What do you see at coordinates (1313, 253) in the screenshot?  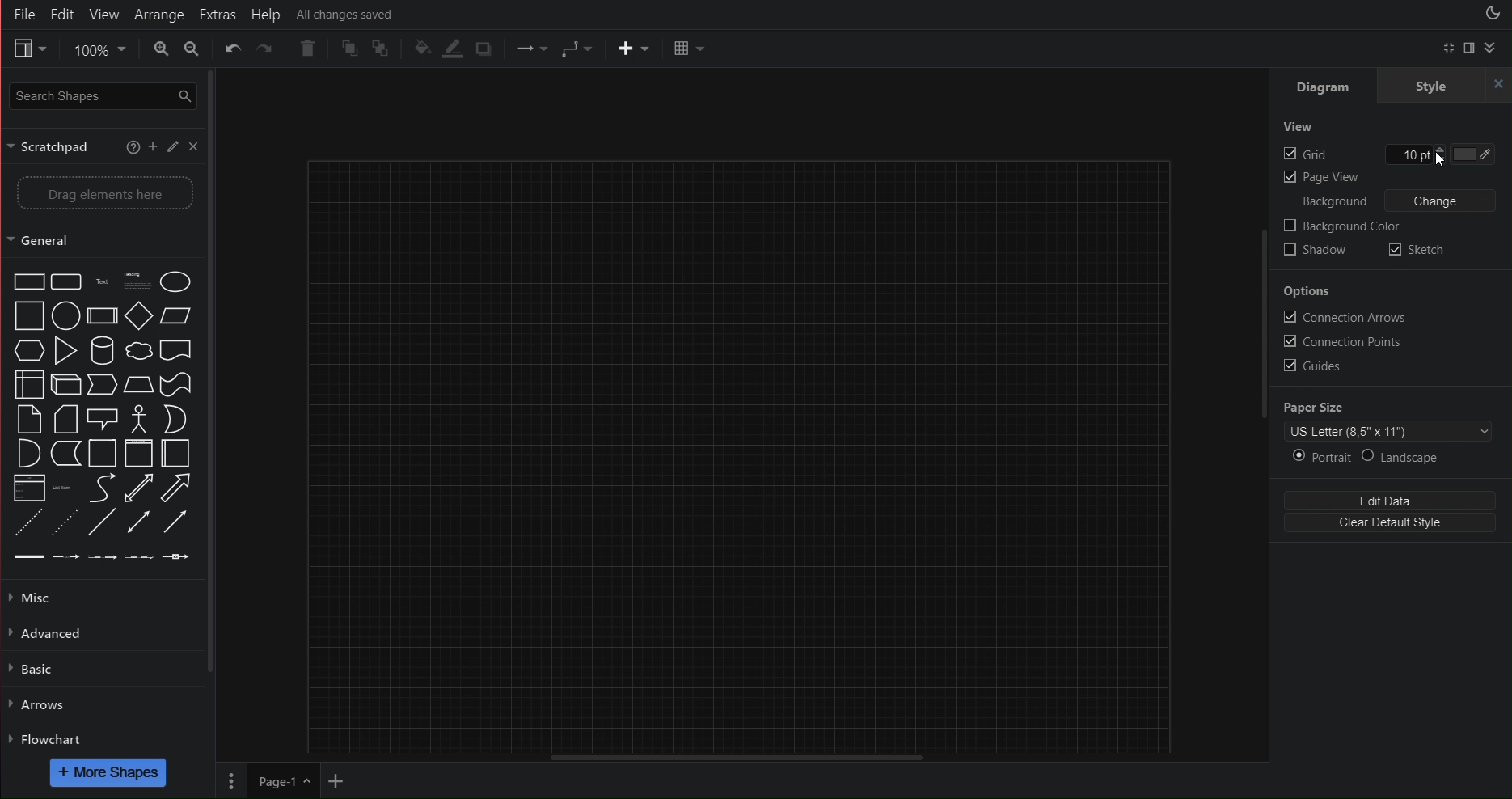 I see `Shadow` at bounding box center [1313, 253].